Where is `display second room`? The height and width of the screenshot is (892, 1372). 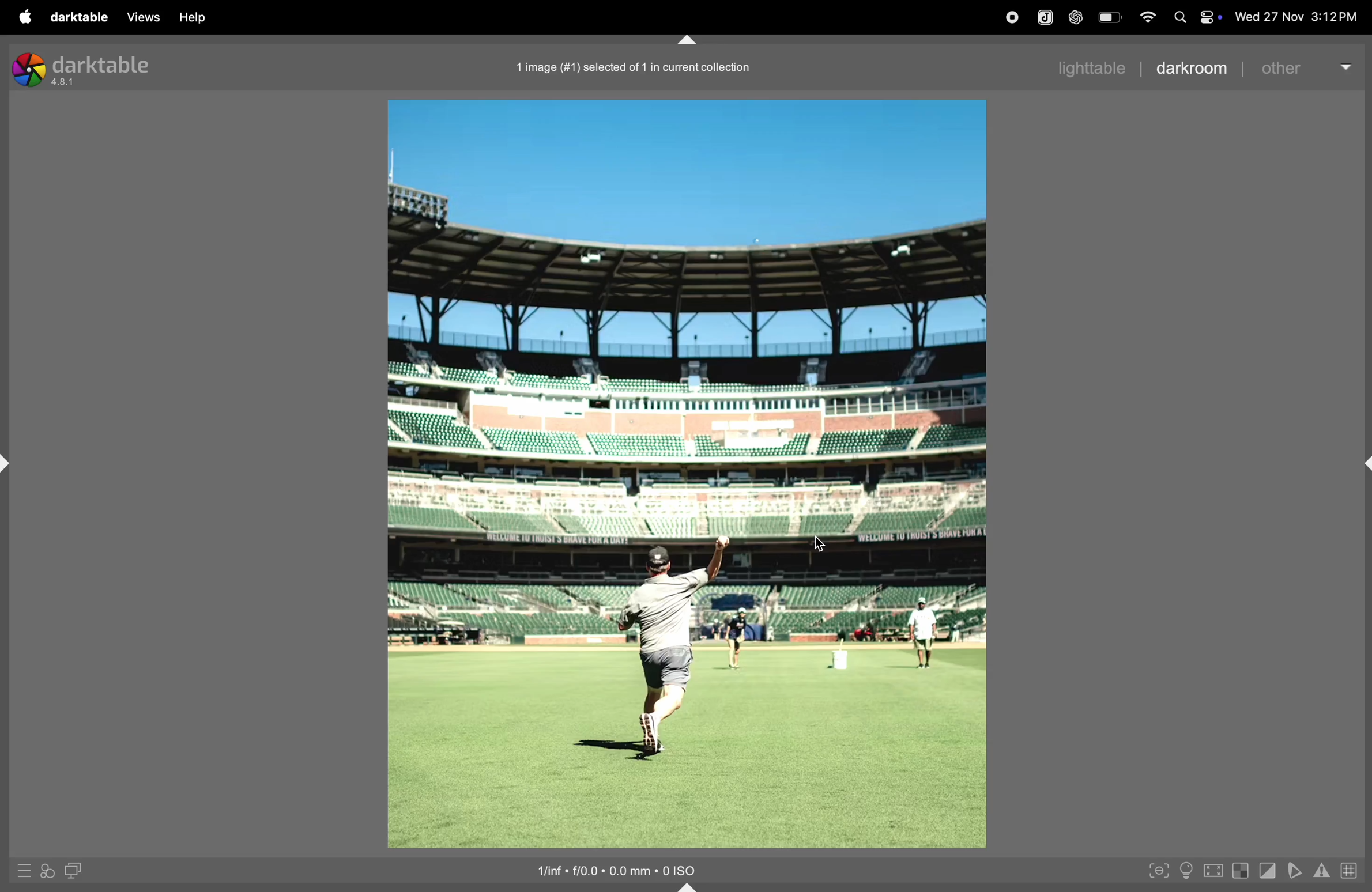 display second room is located at coordinates (76, 869).